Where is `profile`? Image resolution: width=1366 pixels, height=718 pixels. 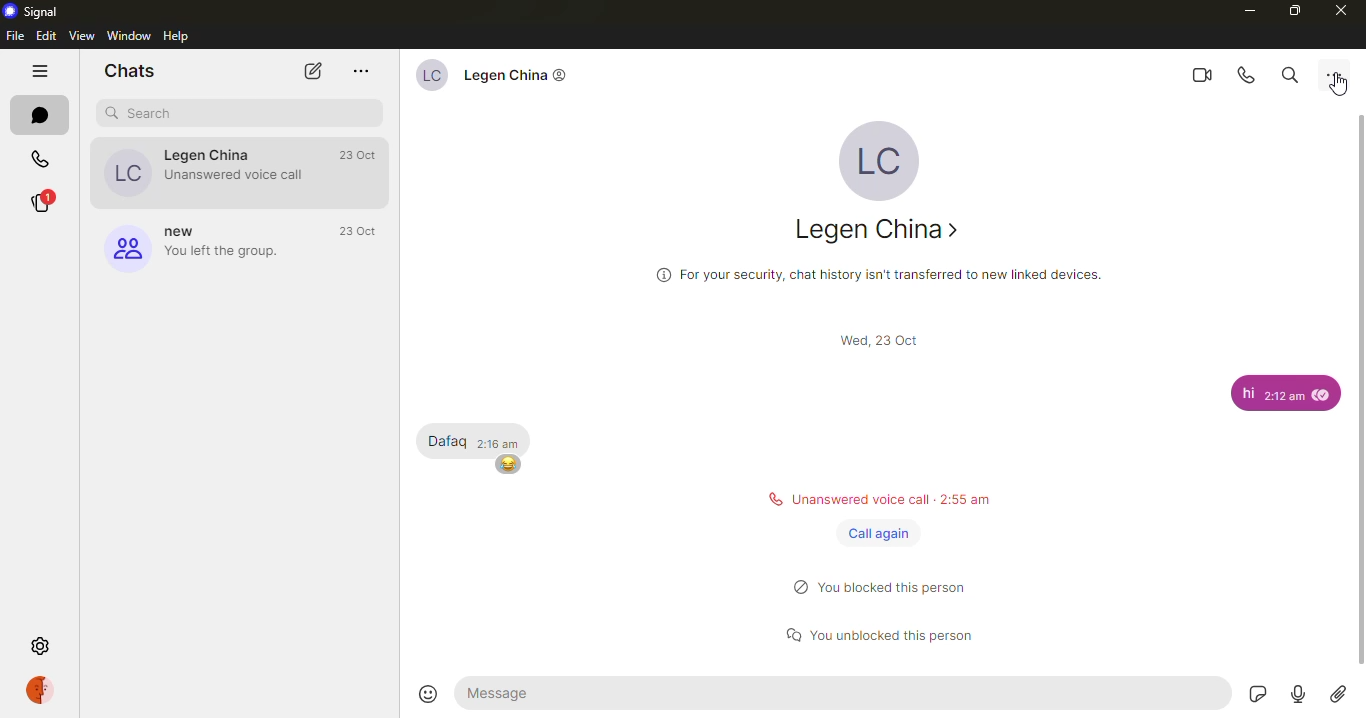 profile is located at coordinates (46, 689).